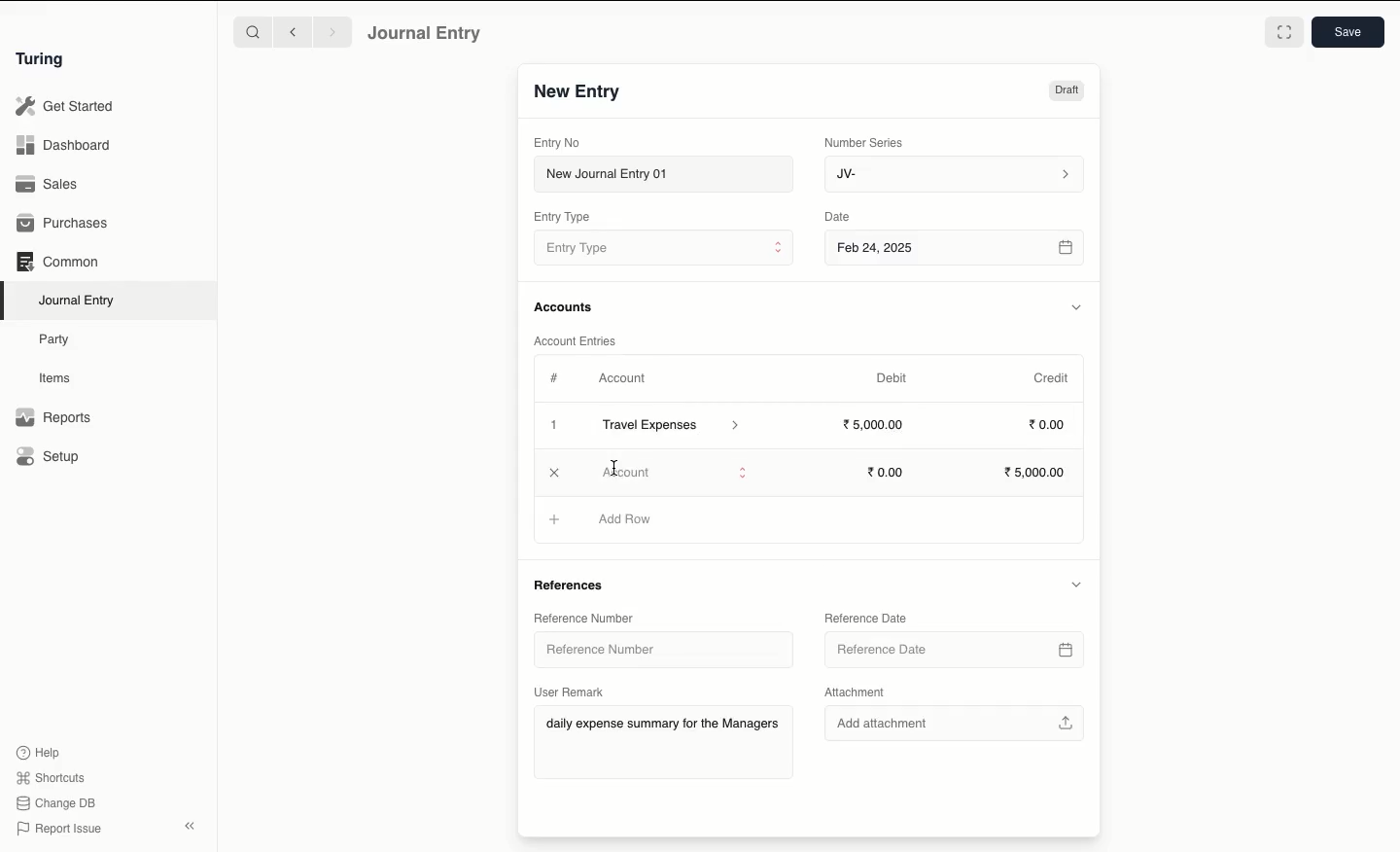 The width and height of the screenshot is (1400, 852). I want to click on Sales, so click(50, 184).